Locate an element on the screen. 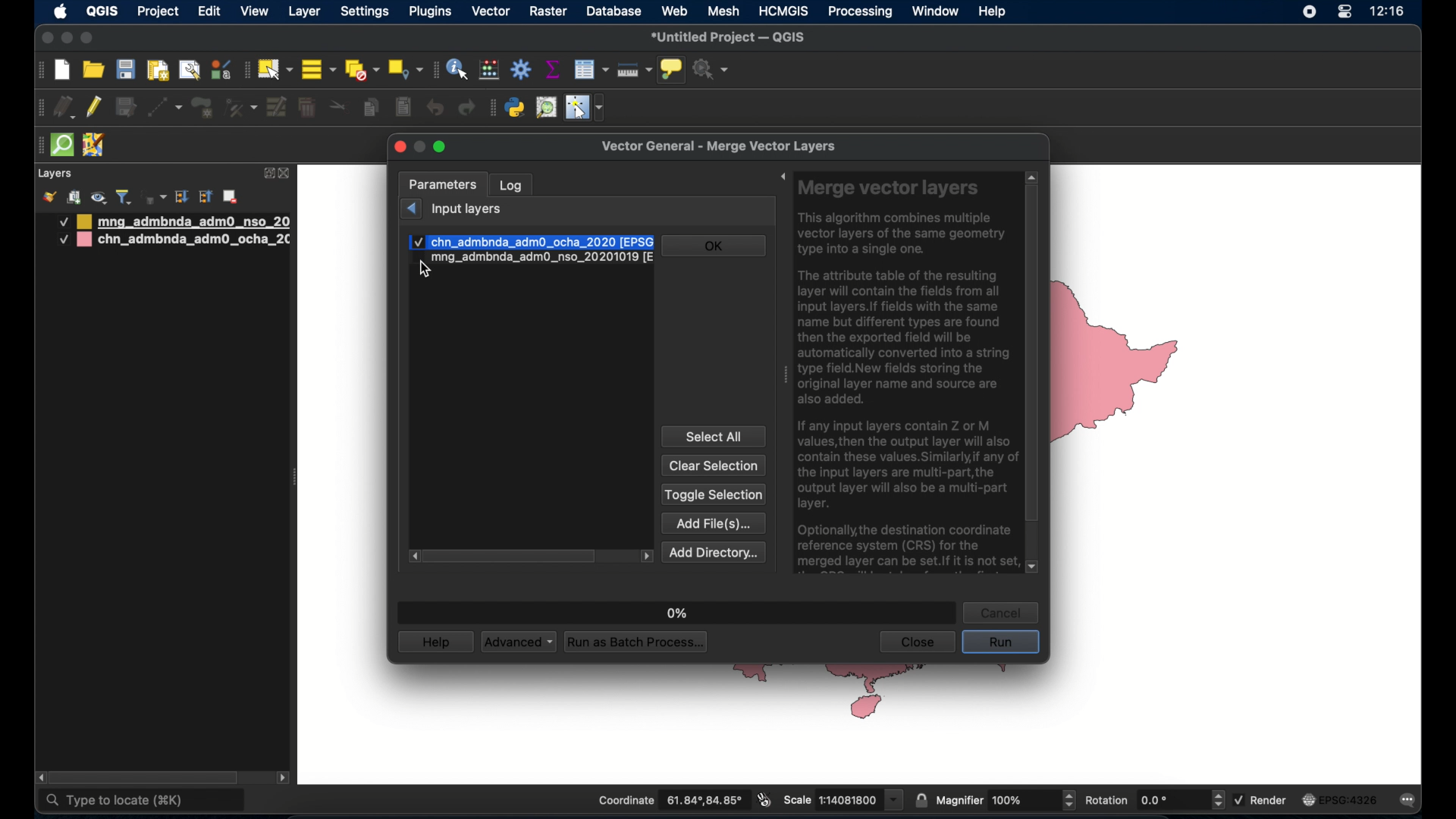  drag handle is located at coordinates (36, 146).